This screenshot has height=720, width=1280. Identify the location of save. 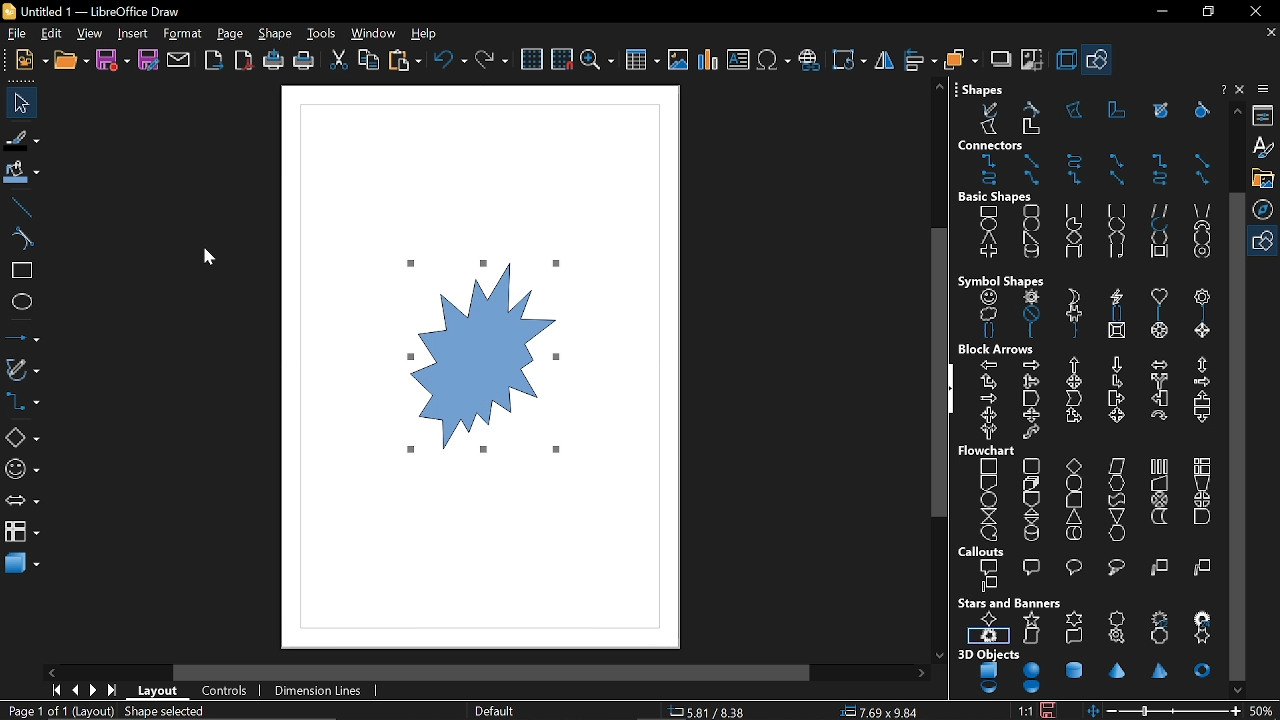
(114, 59).